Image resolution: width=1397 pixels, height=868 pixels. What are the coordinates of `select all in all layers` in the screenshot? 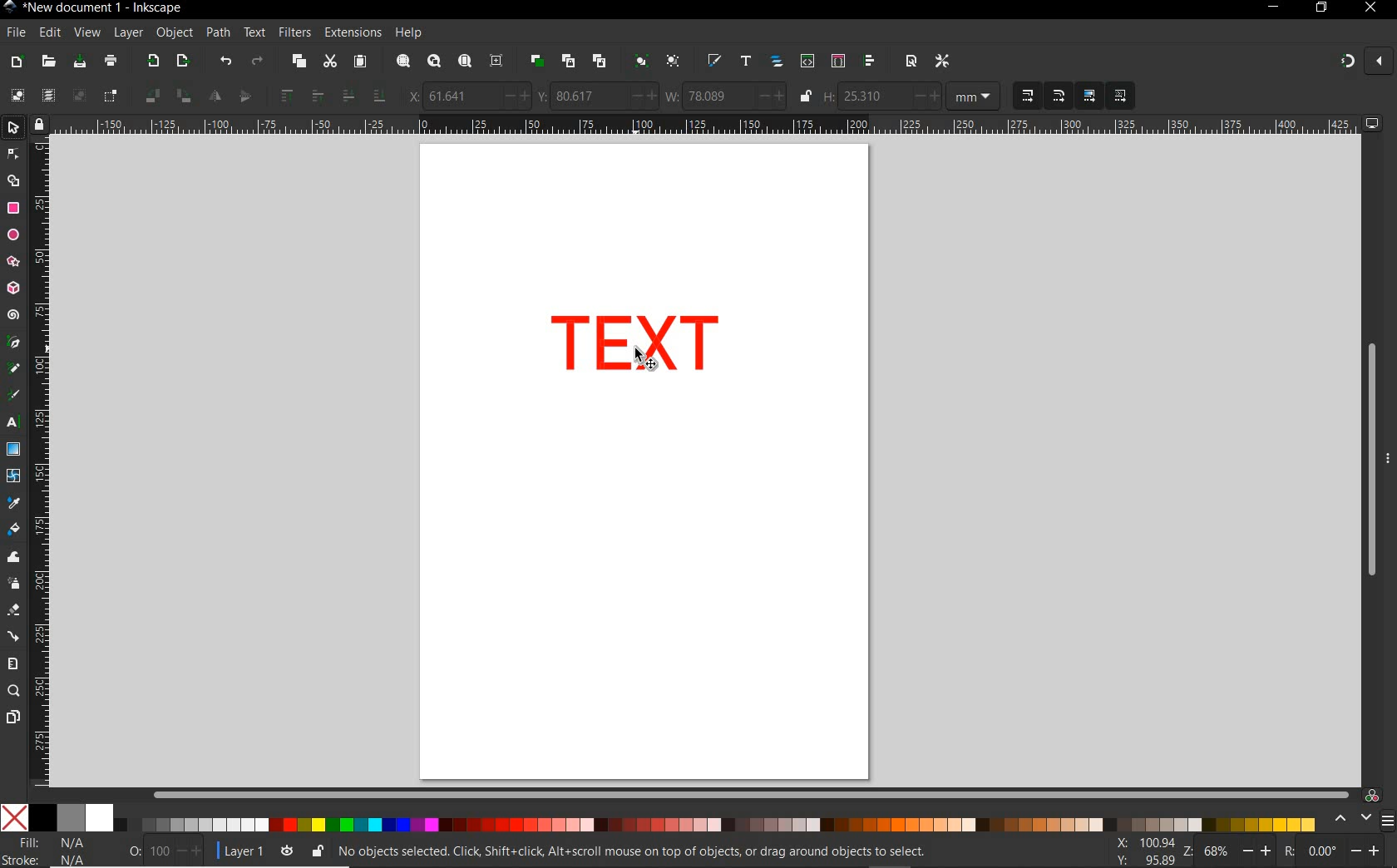 It's located at (48, 96).